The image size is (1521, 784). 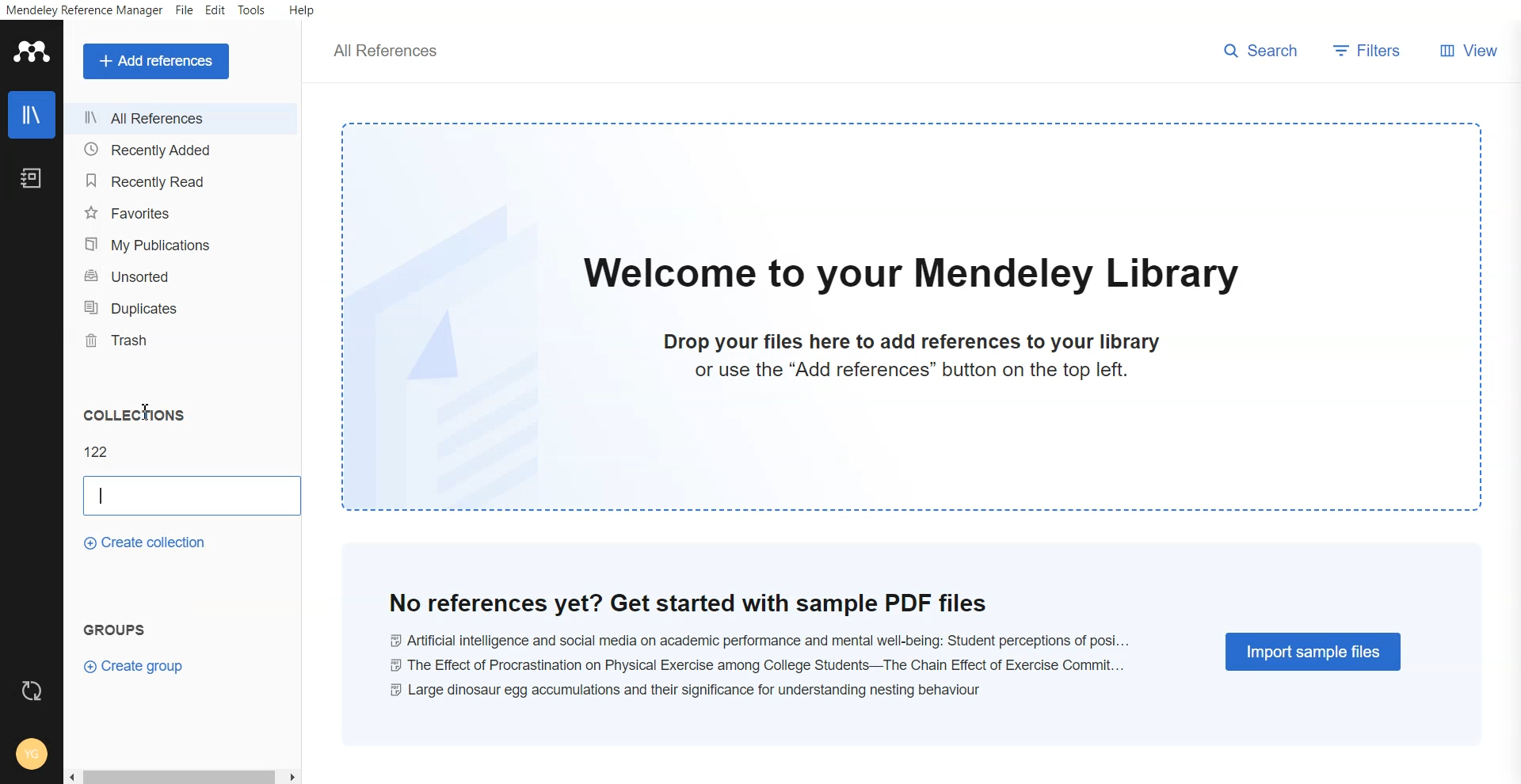 I want to click on Groups, so click(x=124, y=629).